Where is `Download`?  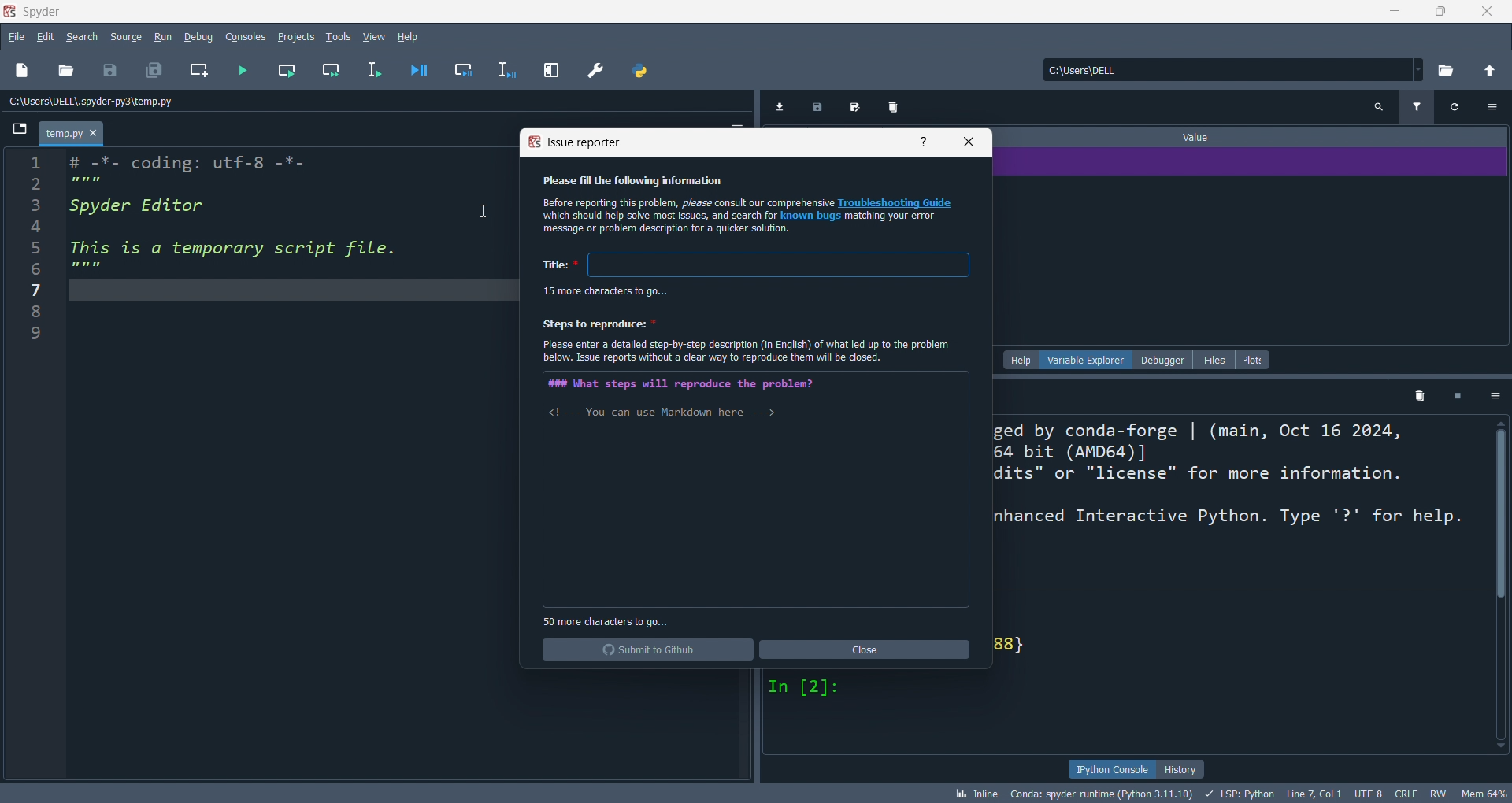
Download is located at coordinates (780, 107).